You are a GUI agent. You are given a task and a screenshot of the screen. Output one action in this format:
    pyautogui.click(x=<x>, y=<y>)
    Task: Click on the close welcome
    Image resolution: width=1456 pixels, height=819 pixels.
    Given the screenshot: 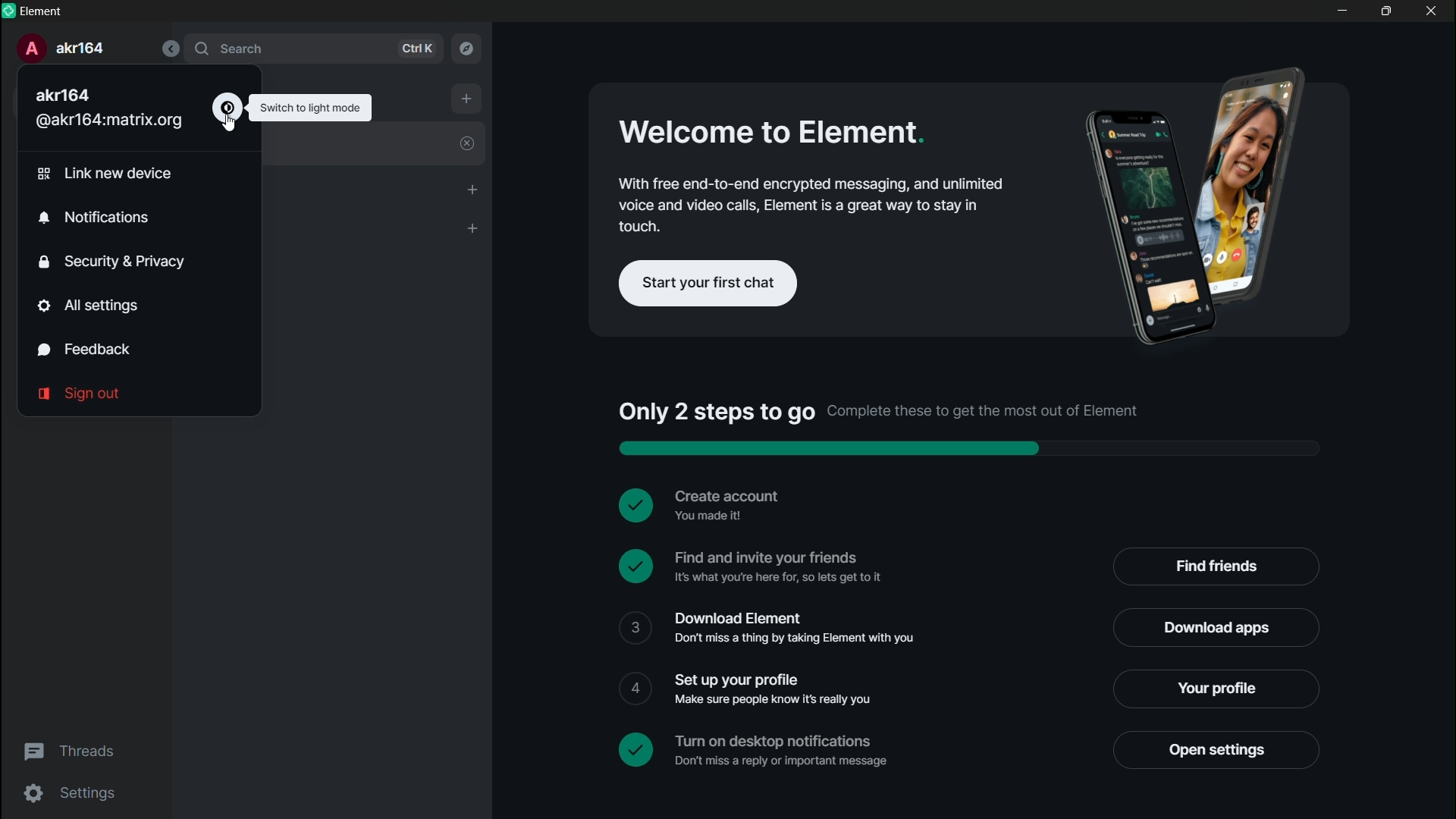 What is the action you would take?
    pyautogui.click(x=468, y=144)
    